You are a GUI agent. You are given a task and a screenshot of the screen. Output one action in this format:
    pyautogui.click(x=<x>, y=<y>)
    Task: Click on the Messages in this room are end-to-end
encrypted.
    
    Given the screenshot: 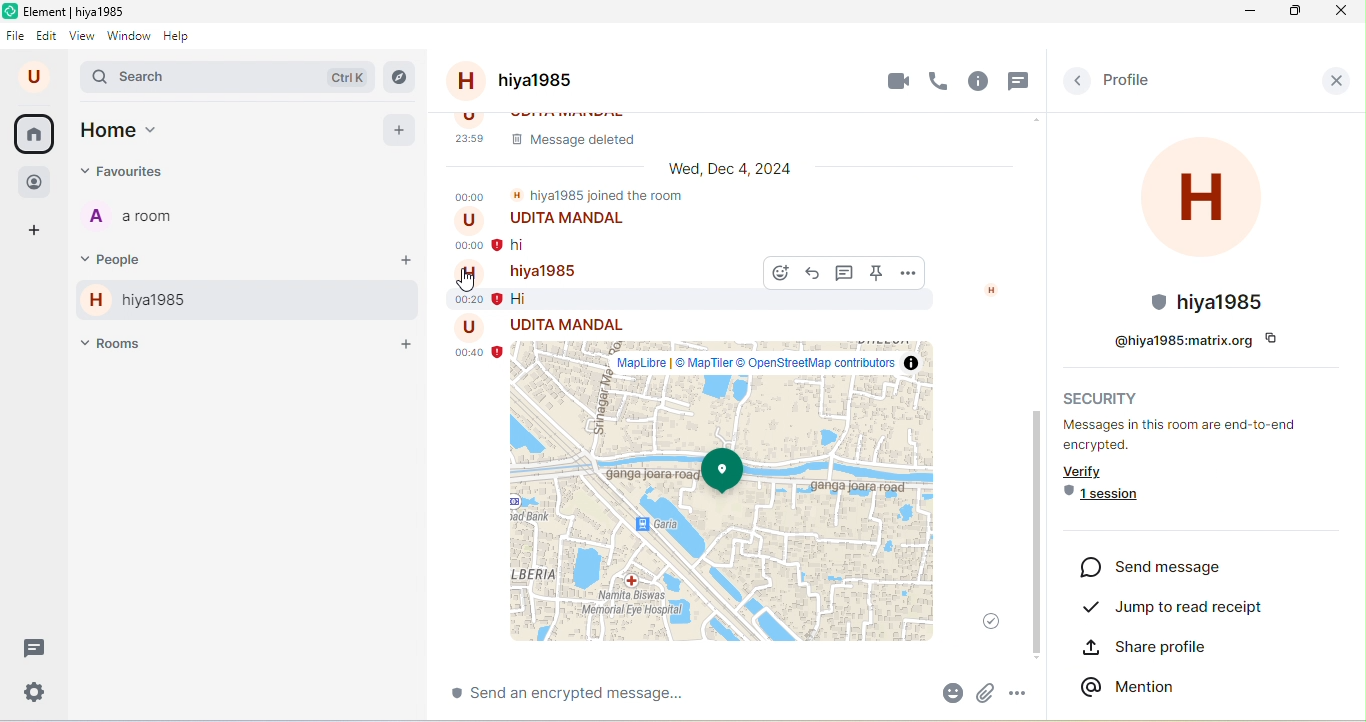 What is the action you would take?
    pyautogui.click(x=1182, y=435)
    